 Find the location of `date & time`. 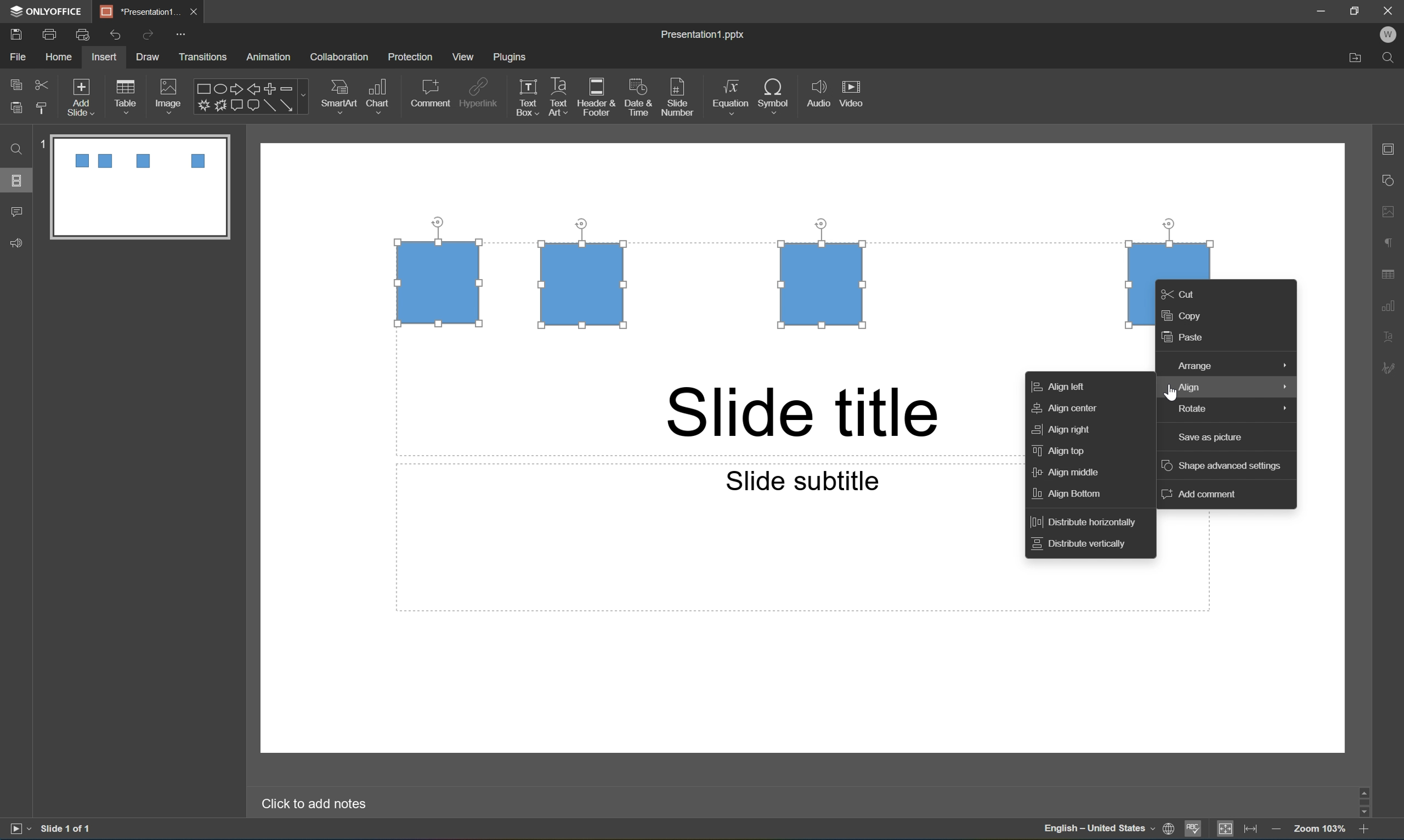

date & time is located at coordinates (641, 99).